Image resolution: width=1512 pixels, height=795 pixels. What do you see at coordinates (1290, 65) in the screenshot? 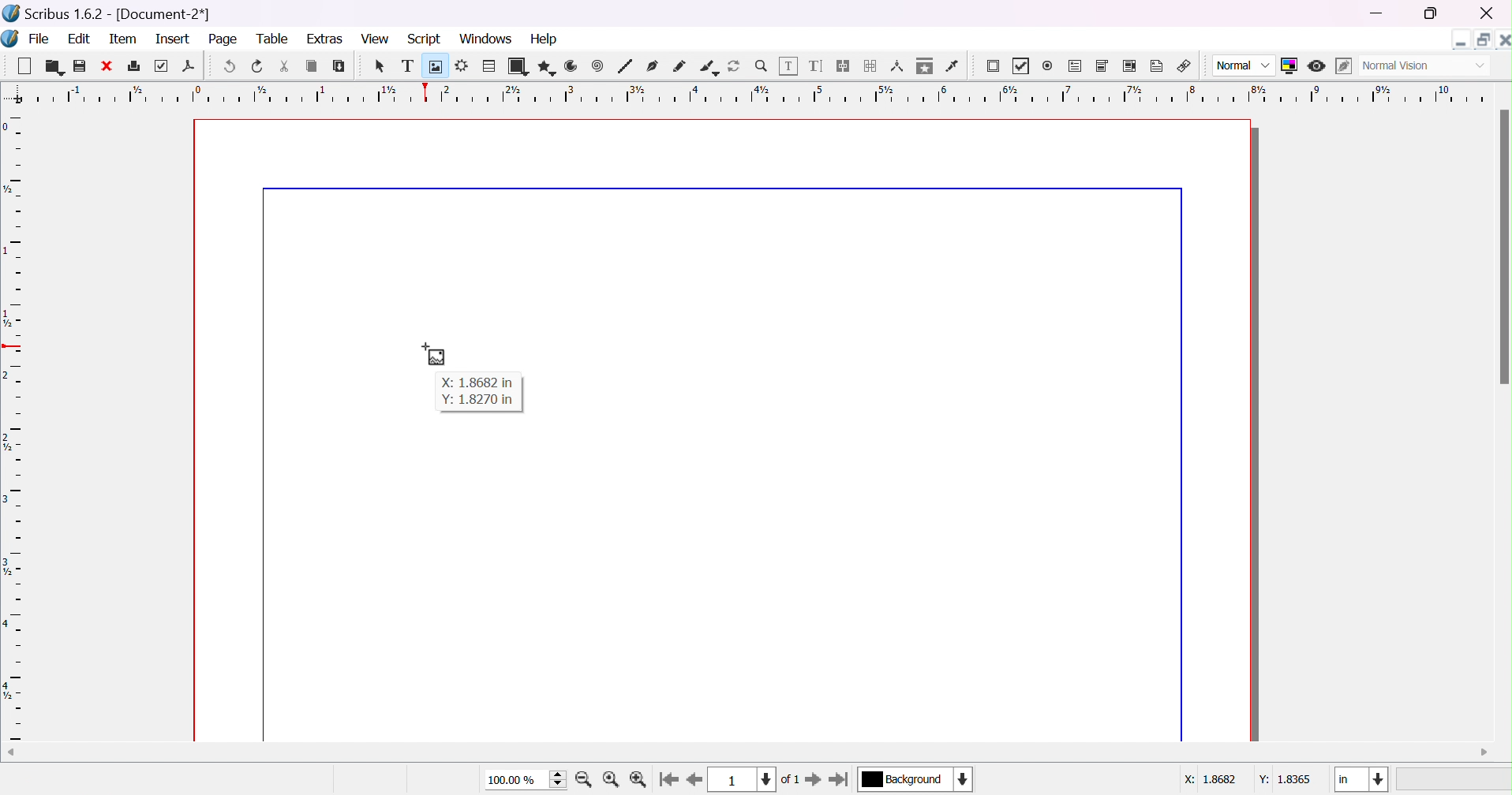
I see `toggle color management system` at bounding box center [1290, 65].